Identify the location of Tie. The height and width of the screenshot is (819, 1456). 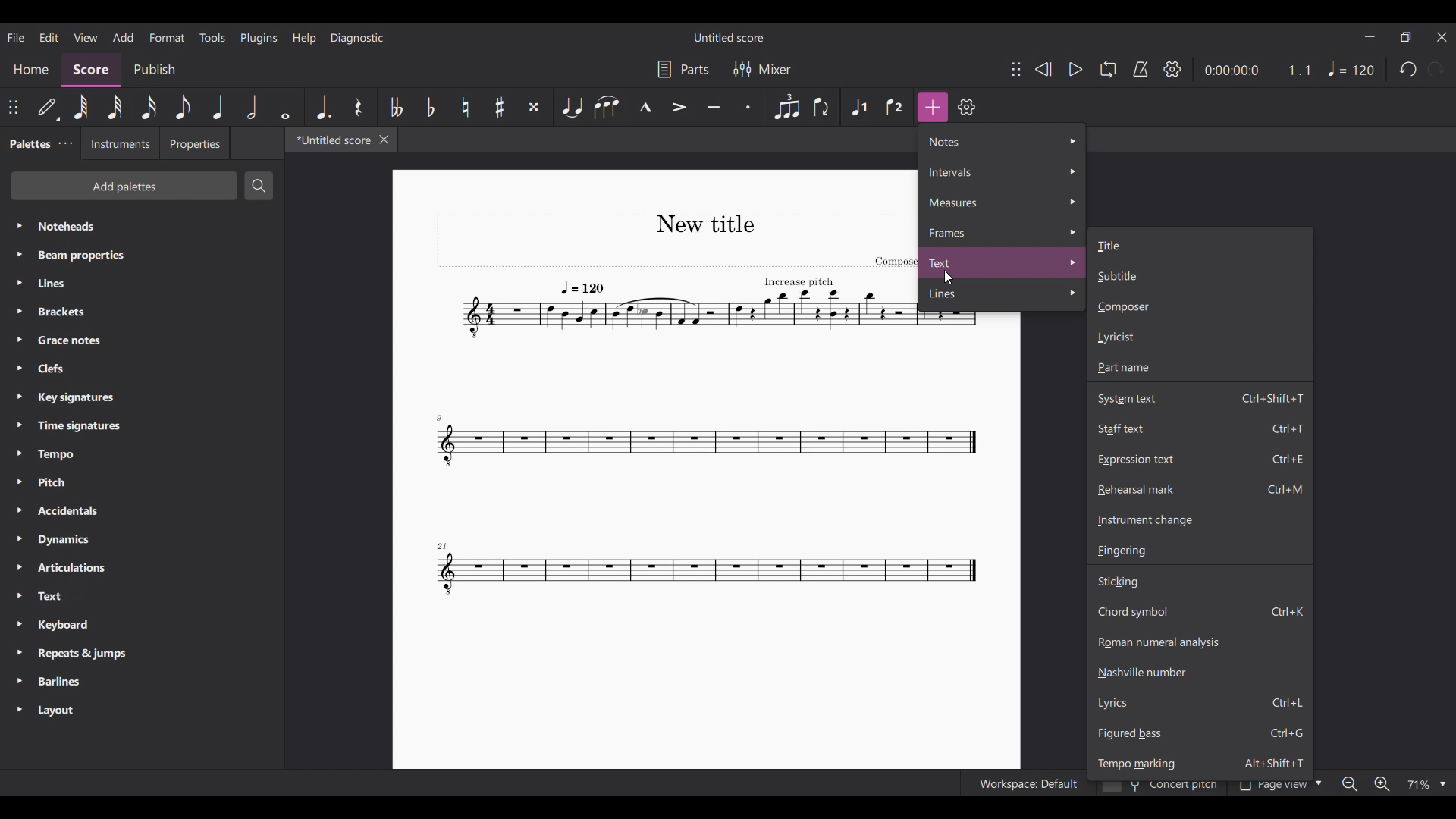
(571, 107).